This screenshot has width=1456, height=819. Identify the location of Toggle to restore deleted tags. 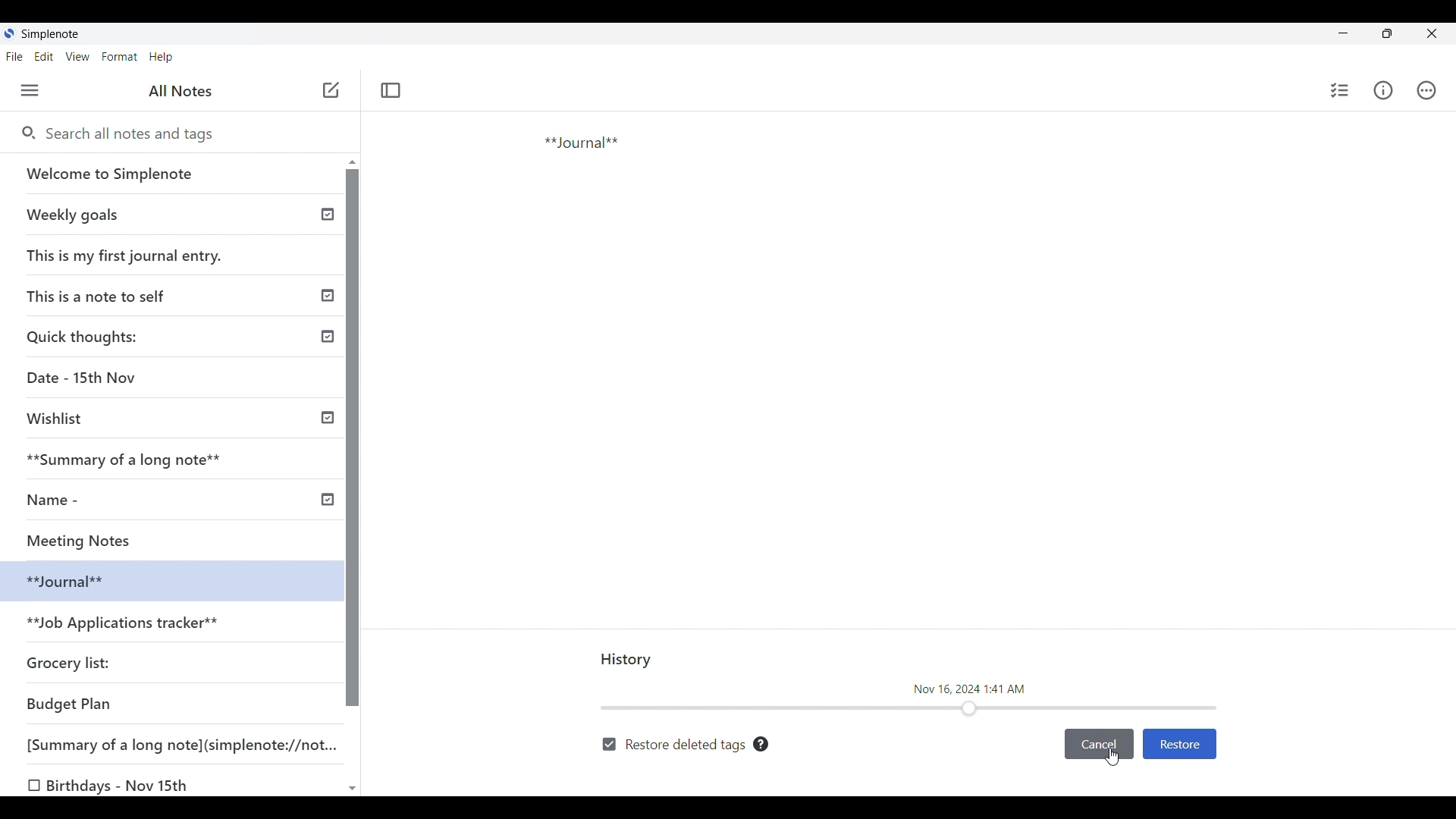
(673, 745).